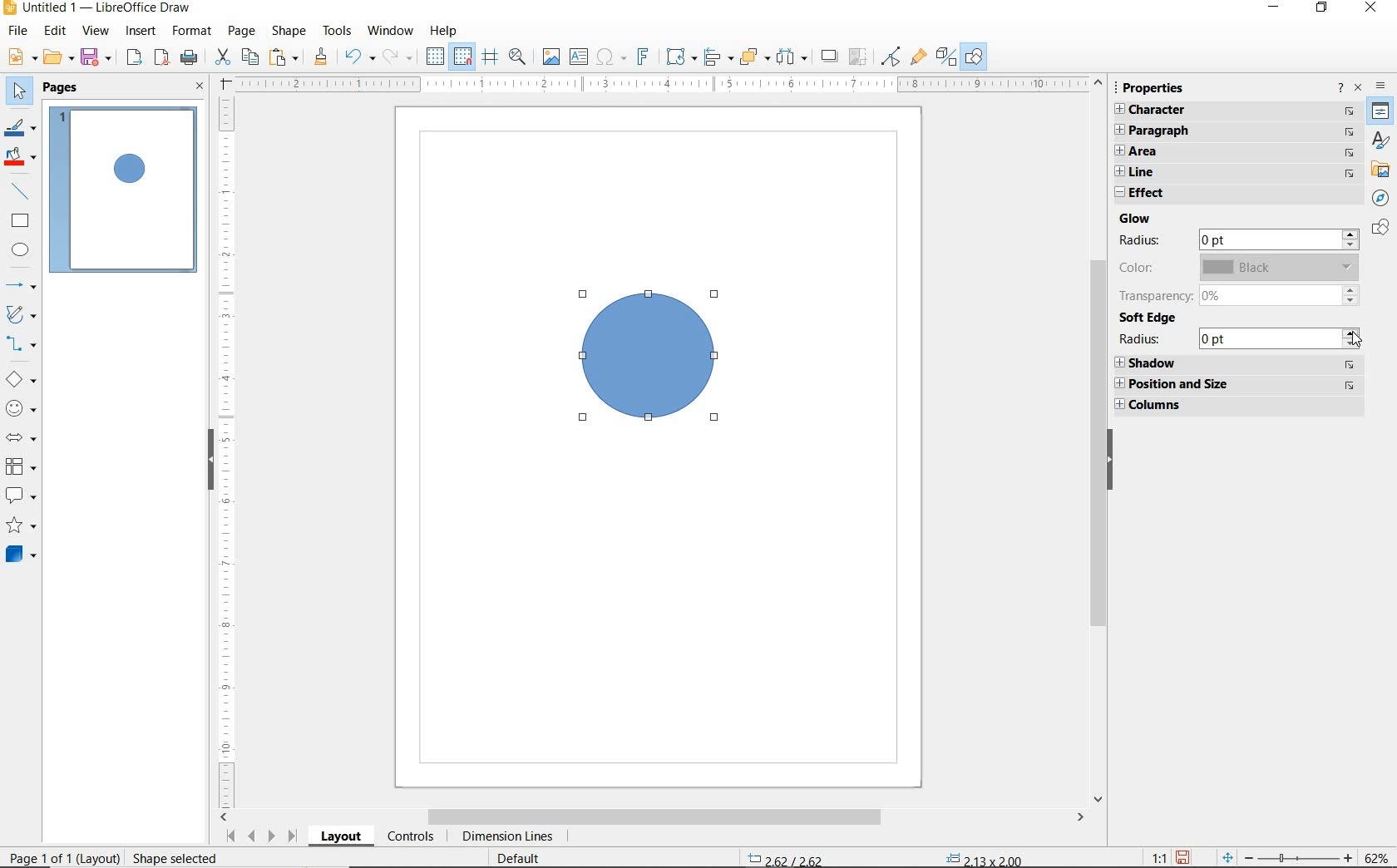  I want to click on INSERT IMAGE, so click(549, 57).